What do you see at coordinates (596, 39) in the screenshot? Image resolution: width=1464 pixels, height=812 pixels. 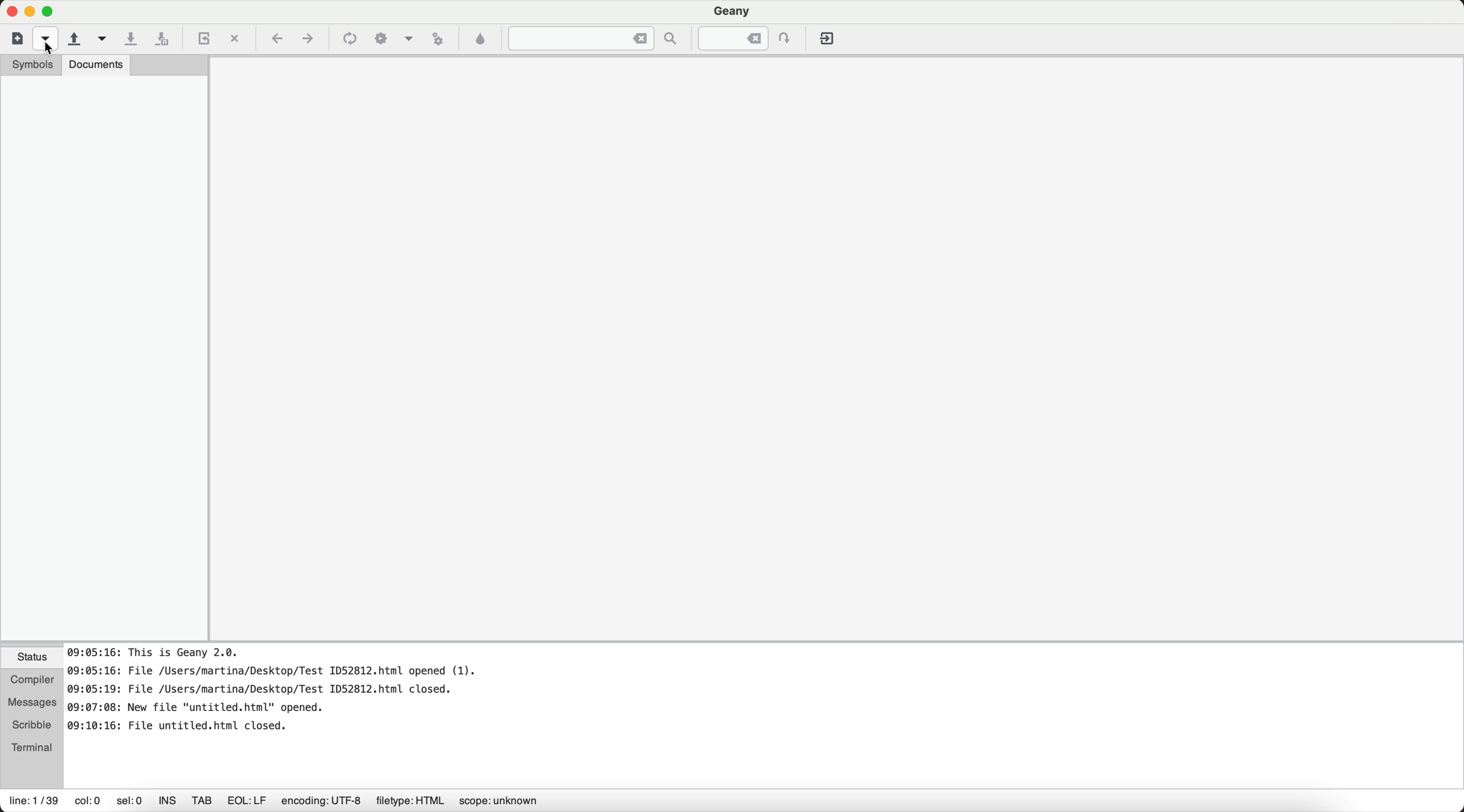 I see `jump to the entered text in the current file` at bounding box center [596, 39].